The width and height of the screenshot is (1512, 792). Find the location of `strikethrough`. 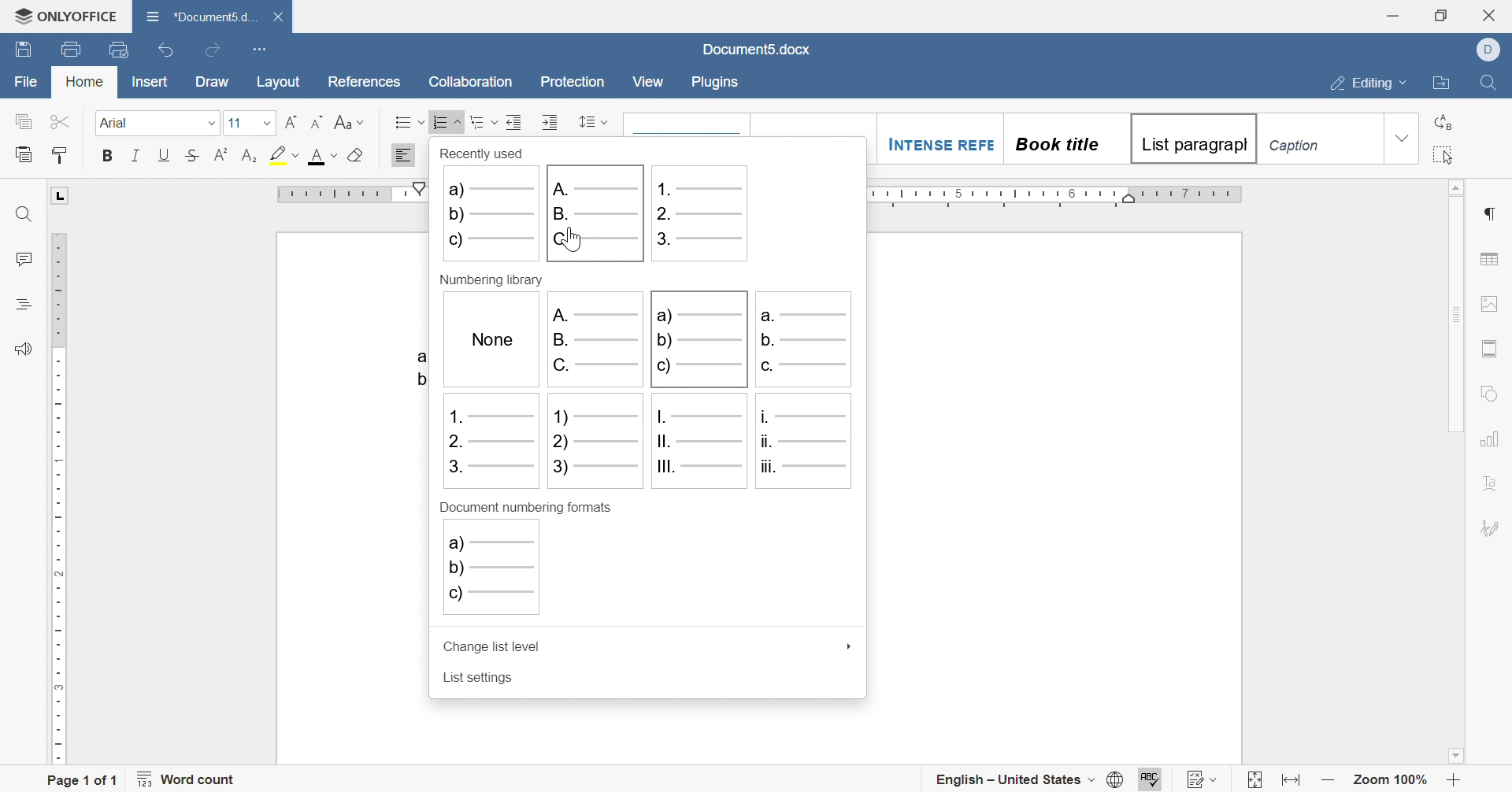

strikethrough is located at coordinates (191, 155).